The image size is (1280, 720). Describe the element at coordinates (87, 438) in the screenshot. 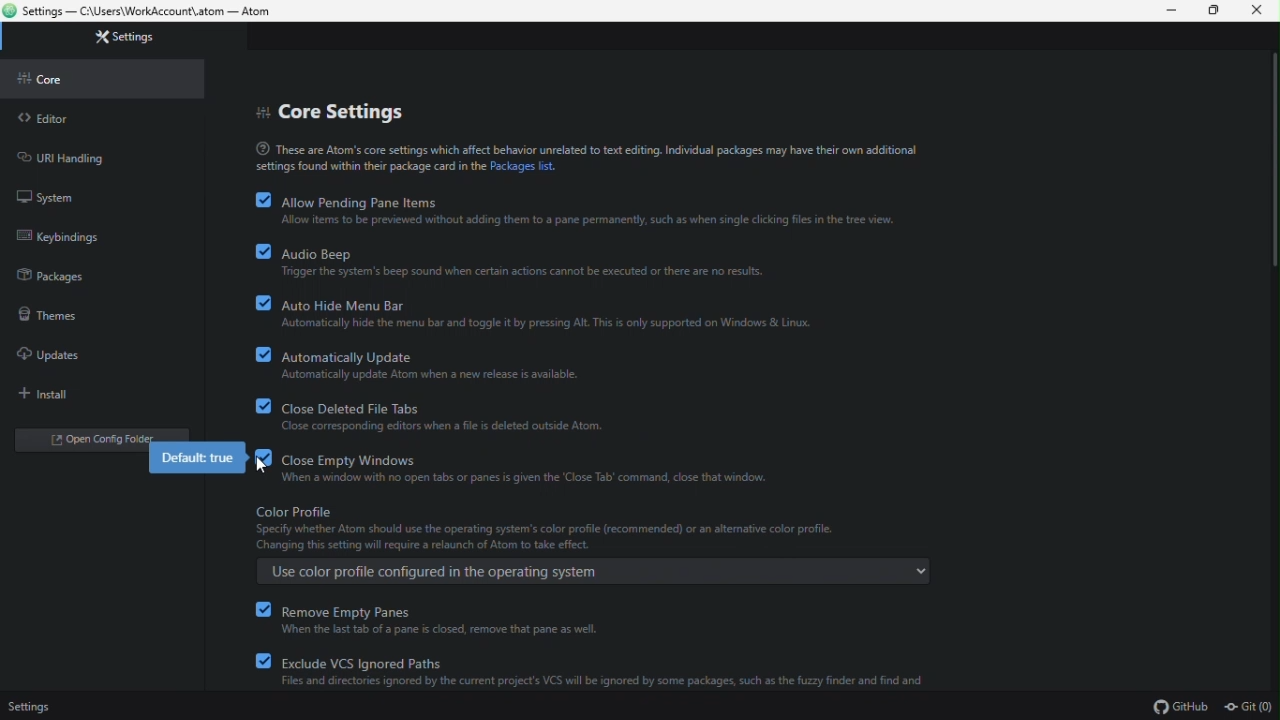

I see `open folder` at that location.